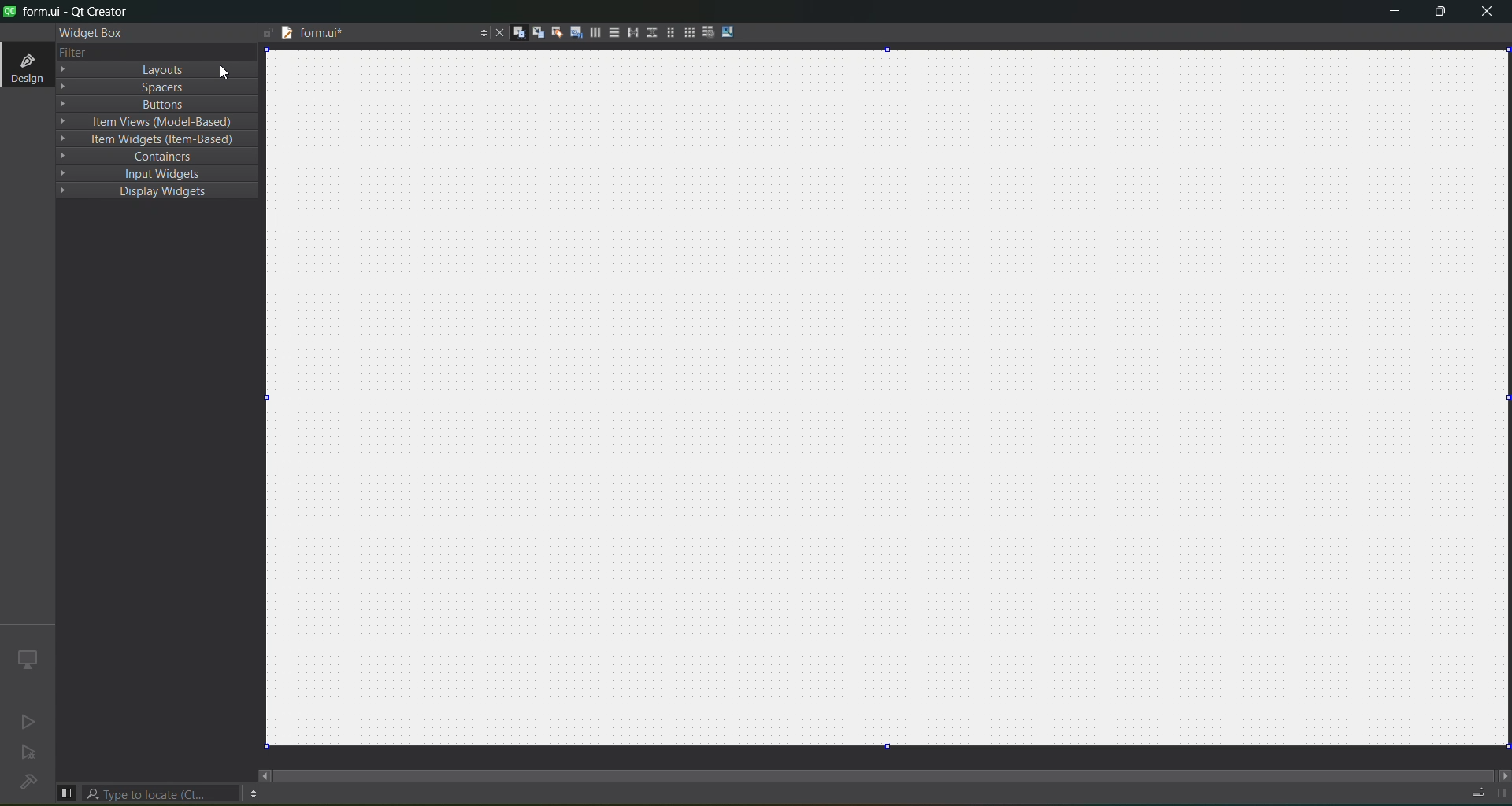 Image resolution: width=1512 pixels, height=806 pixels. What do you see at coordinates (495, 31) in the screenshot?
I see `close tab` at bounding box center [495, 31].